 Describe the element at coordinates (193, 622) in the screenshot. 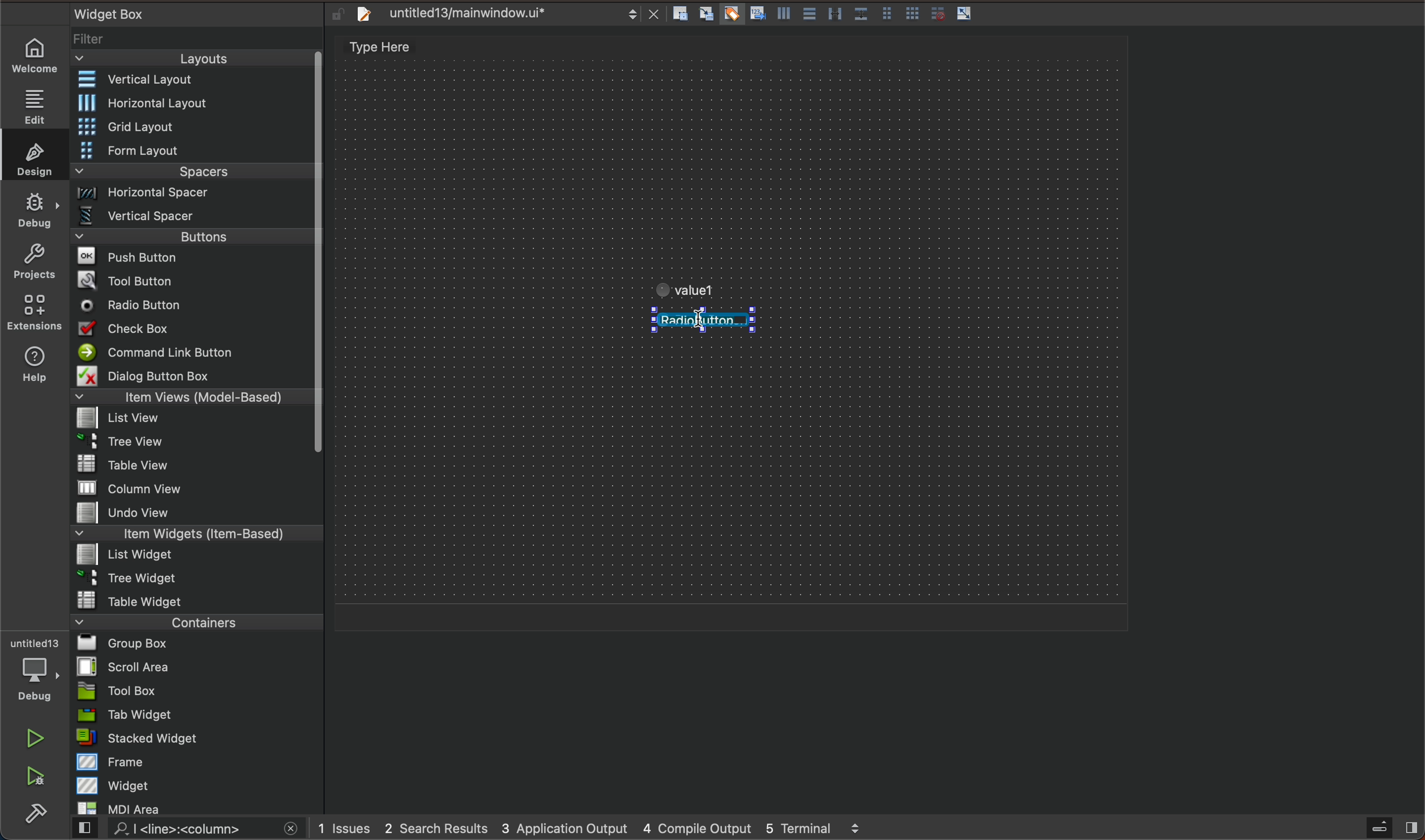

I see `containers` at that location.